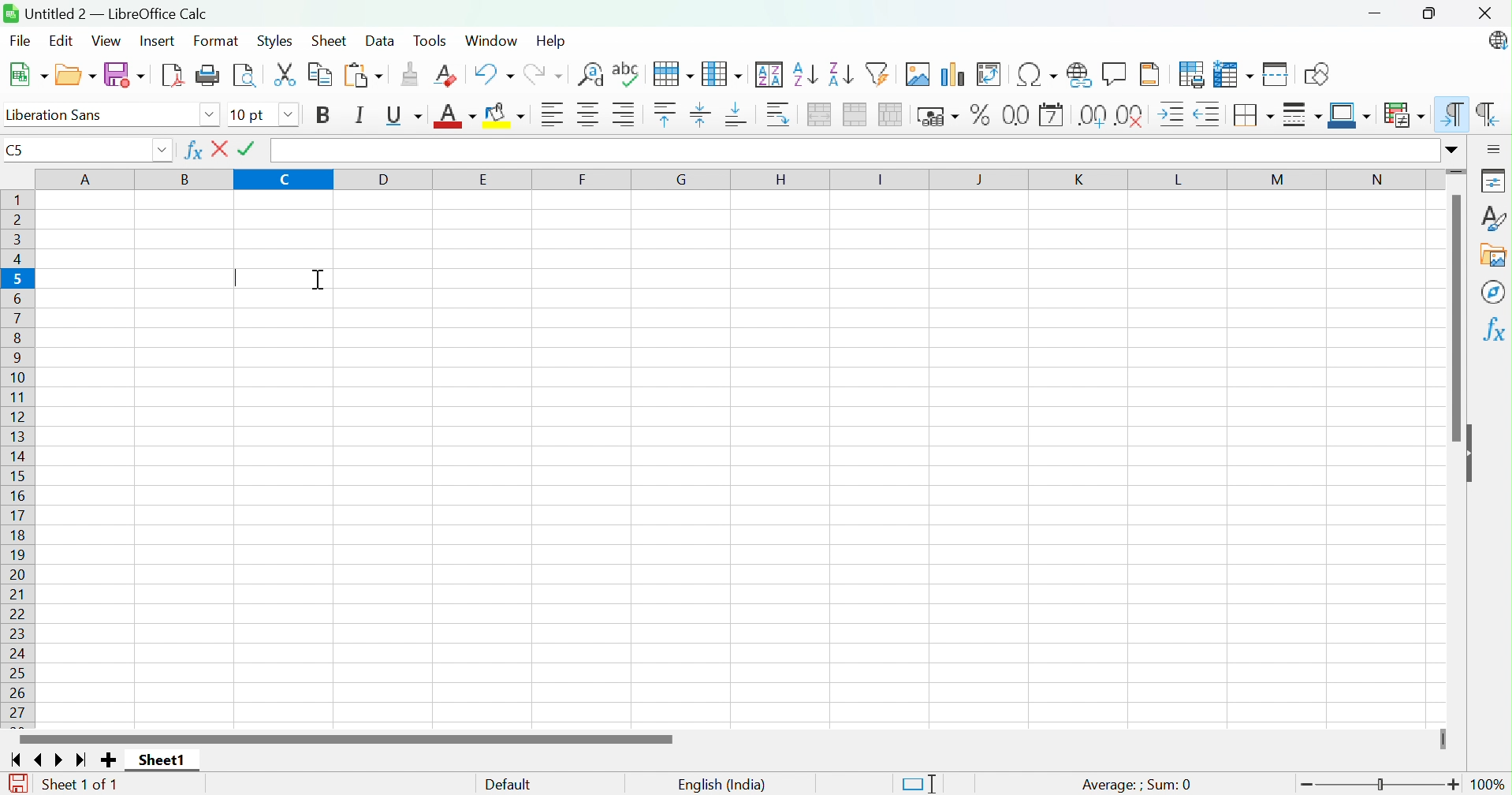 This screenshot has height=795, width=1512. I want to click on Input line, so click(855, 151).